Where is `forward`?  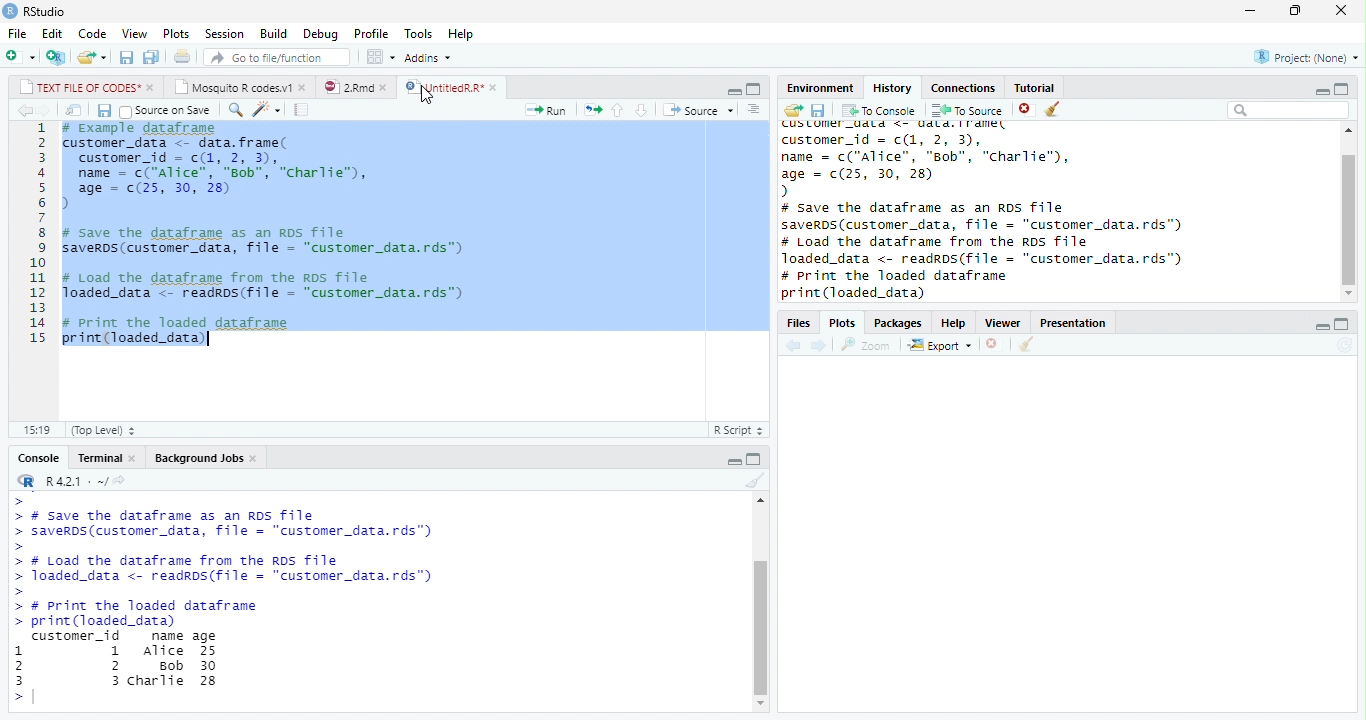 forward is located at coordinates (817, 345).